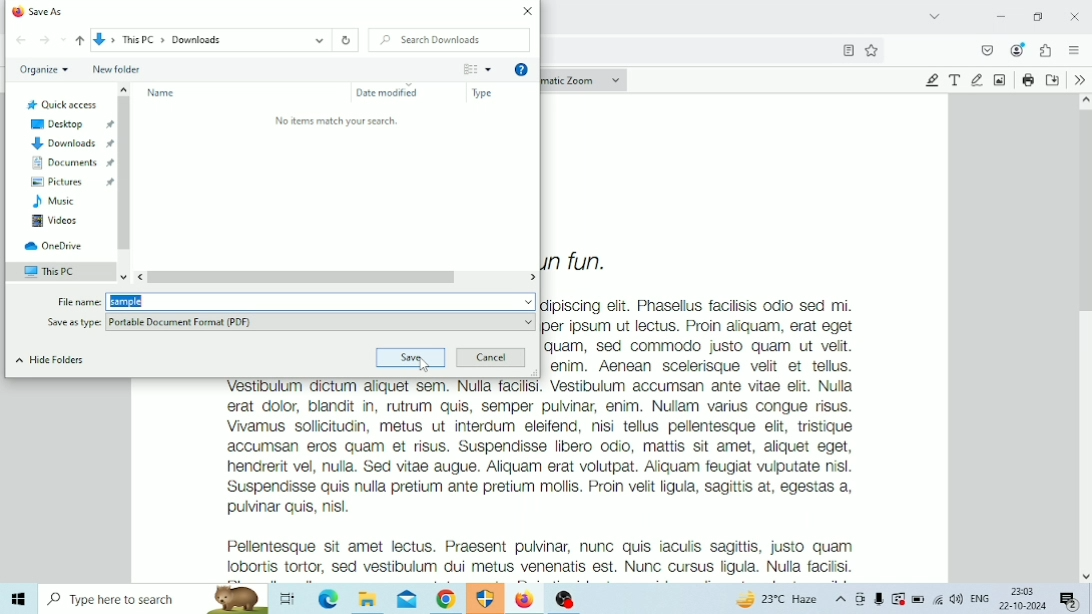 This screenshot has height=614, width=1092. Describe the element at coordinates (154, 599) in the screenshot. I see `Type here to search` at that location.